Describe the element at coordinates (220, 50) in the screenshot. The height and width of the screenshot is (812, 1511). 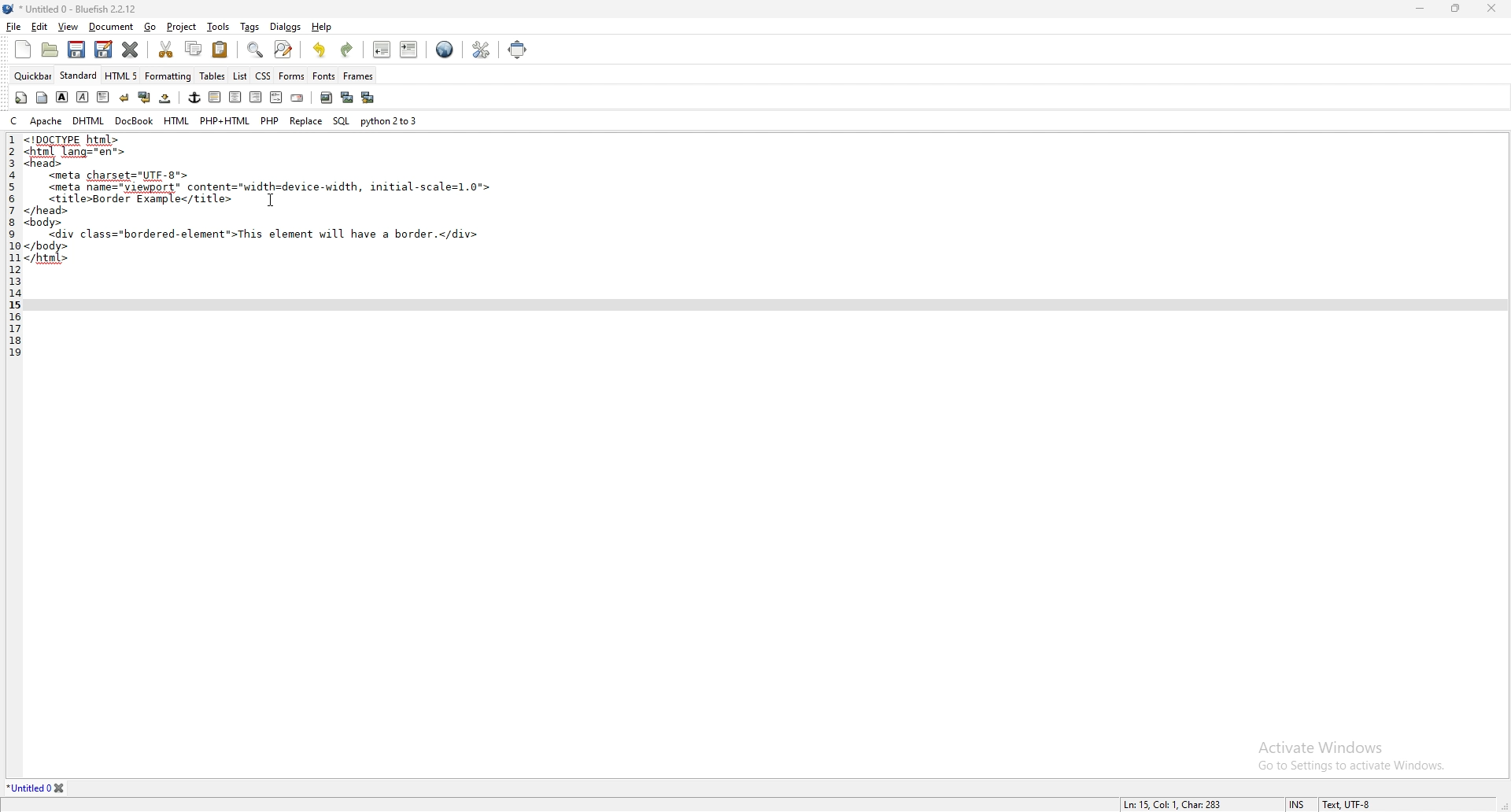
I see `paste` at that location.